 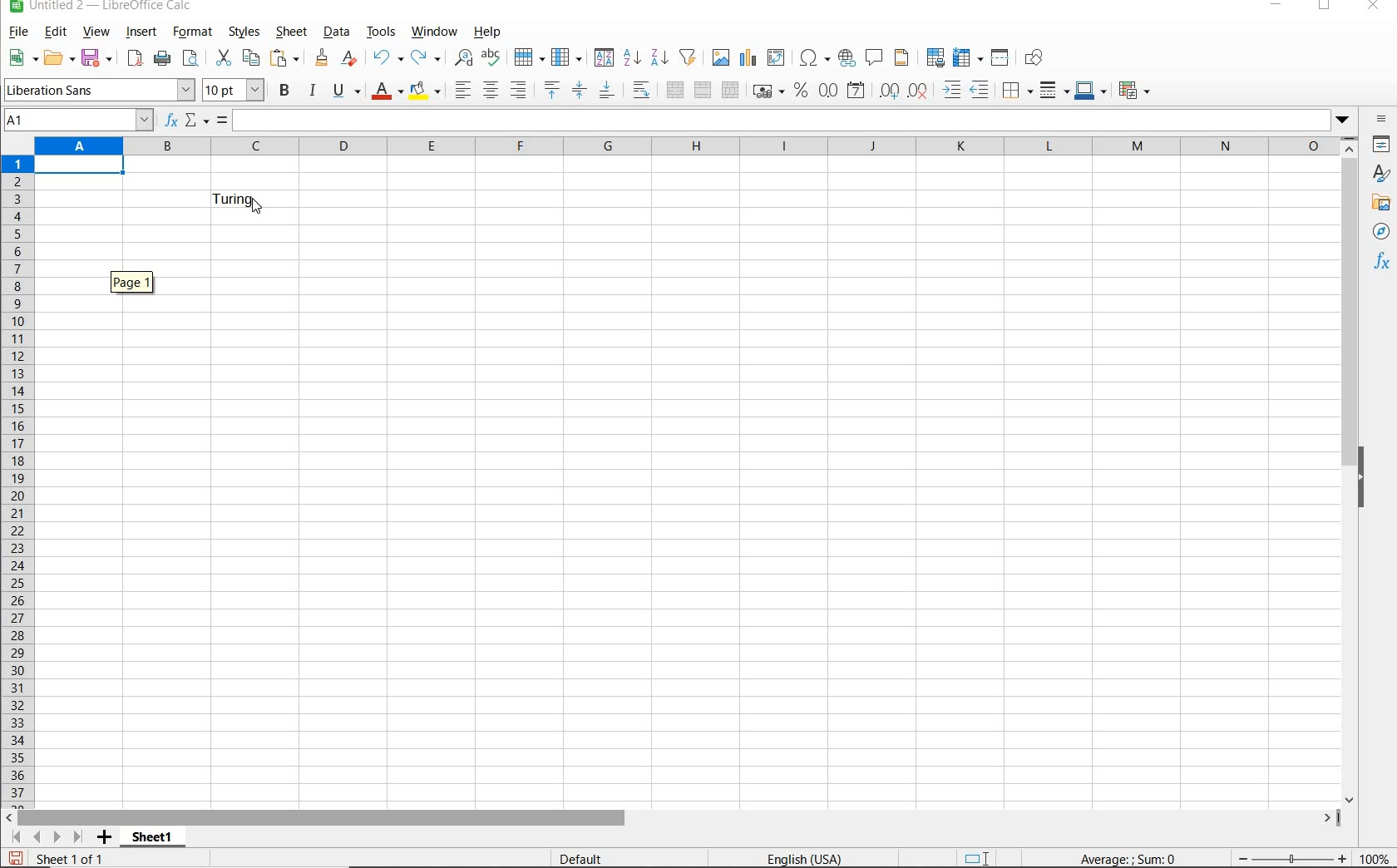 I want to click on SCROLLBAR, so click(x=674, y=817).